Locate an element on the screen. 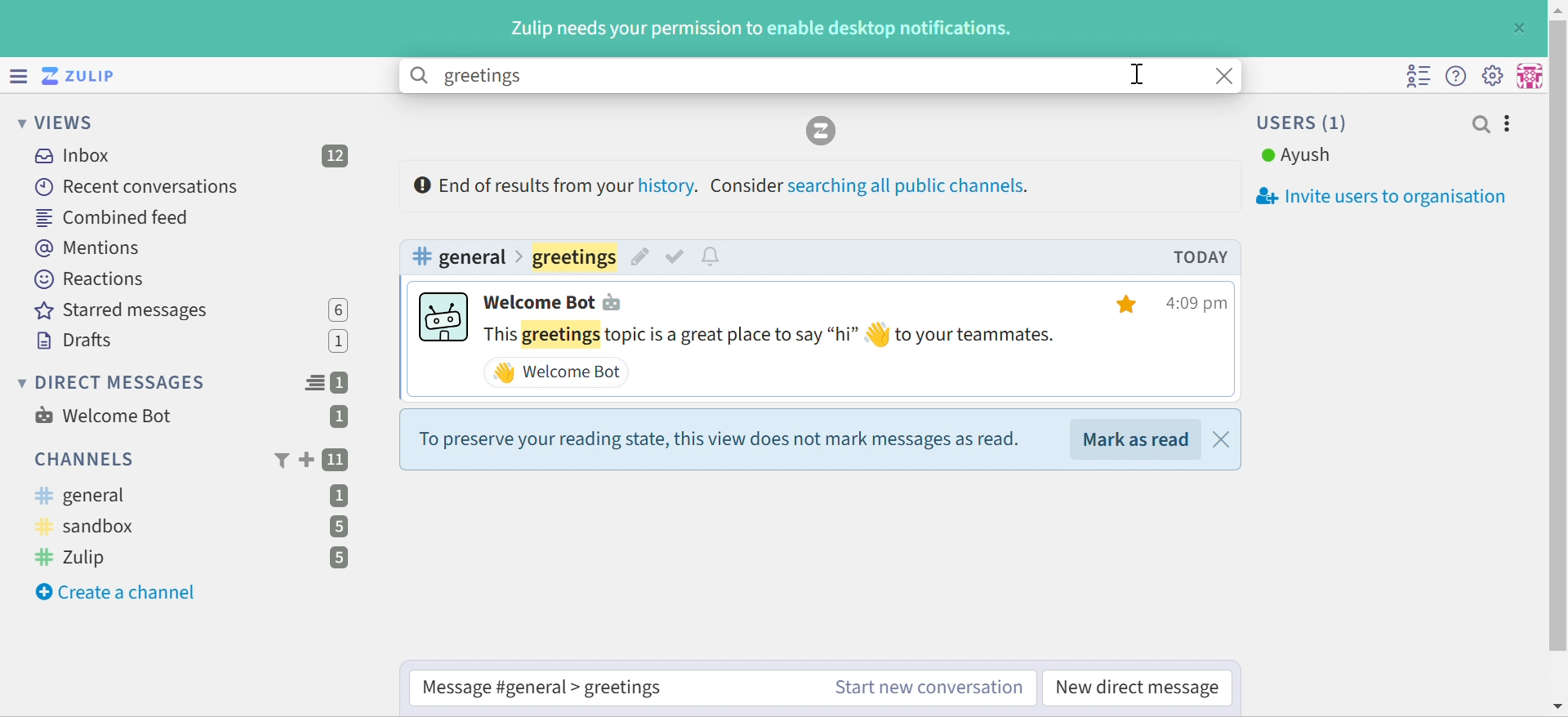 The height and width of the screenshot is (717, 1568). Channels is located at coordinates (82, 459).